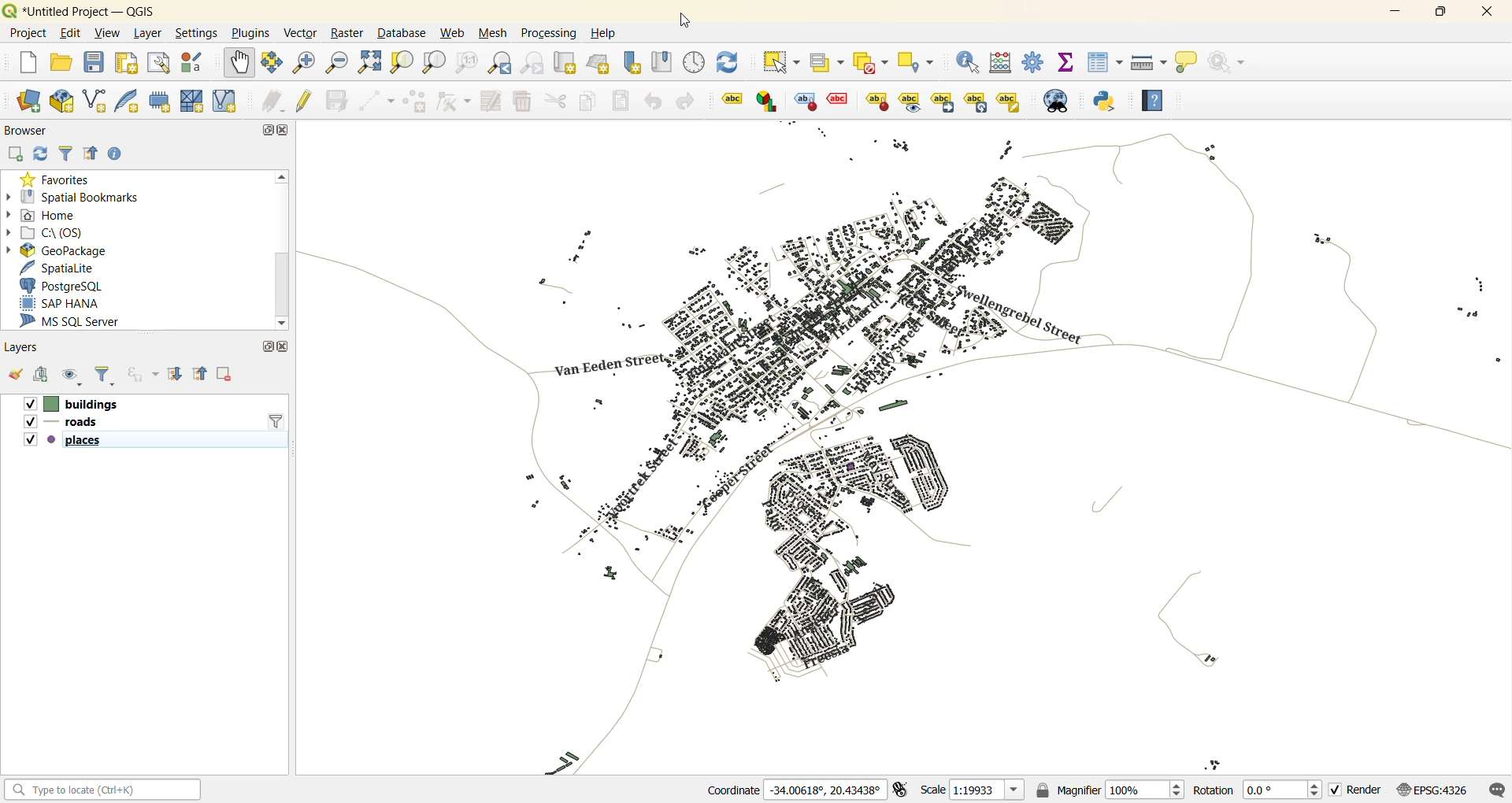 The image size is (1512, 803). I want to click on plugins, so click(249, 35).